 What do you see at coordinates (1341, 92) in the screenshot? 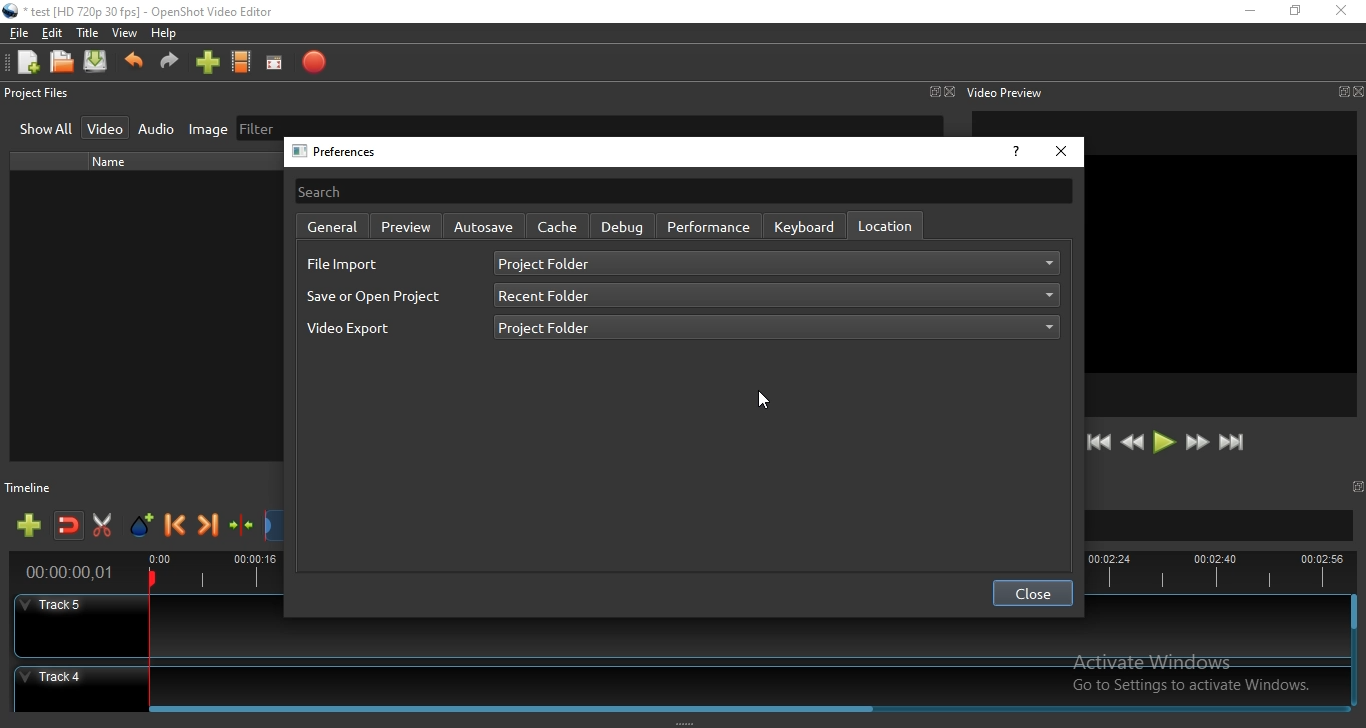
I see `window` at bounding box center [1341, 92].